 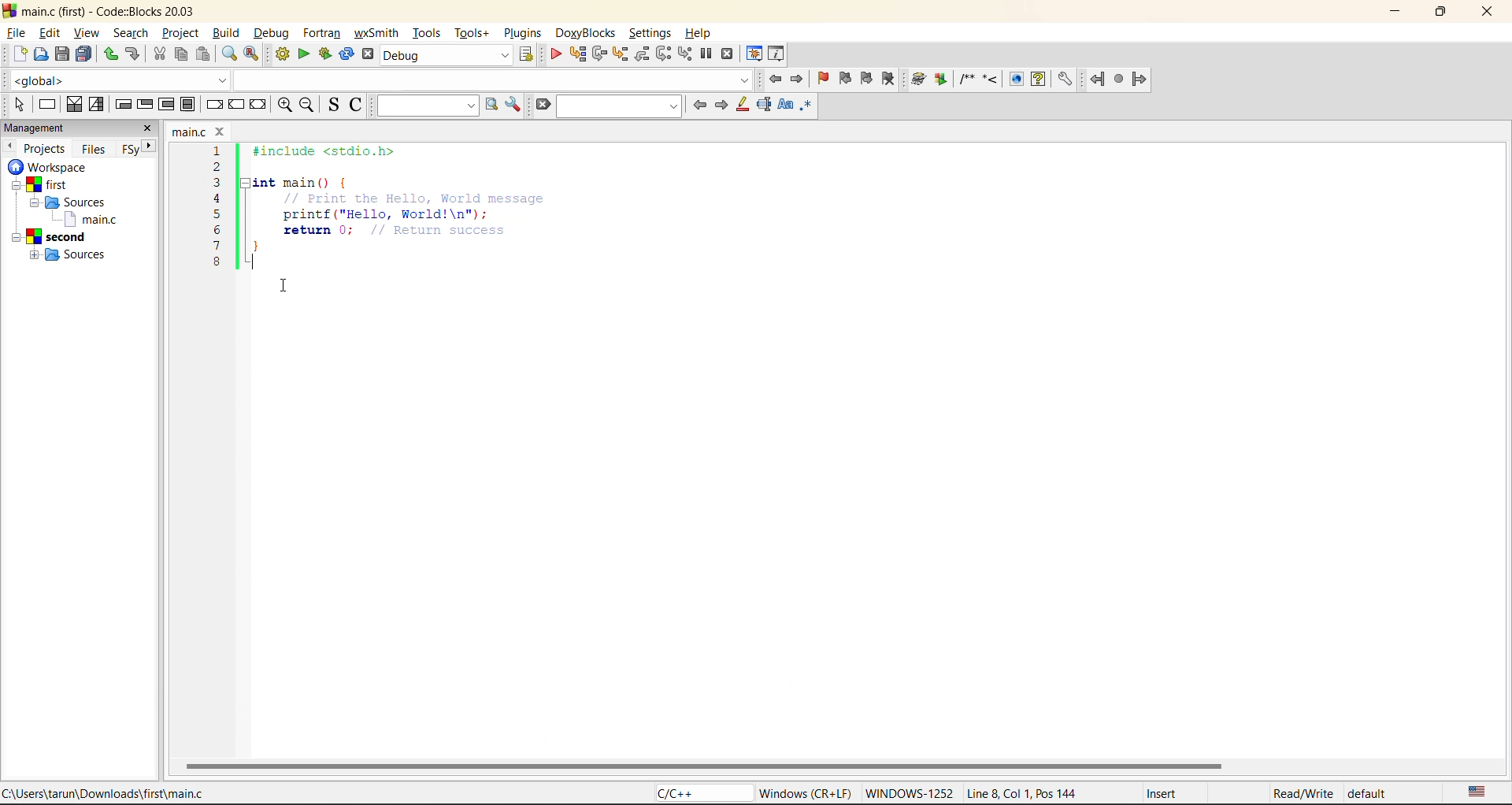 What do you see at coordinates (157, 55) in the screenshot?
I see `cut` at bounding box center [157, 55].